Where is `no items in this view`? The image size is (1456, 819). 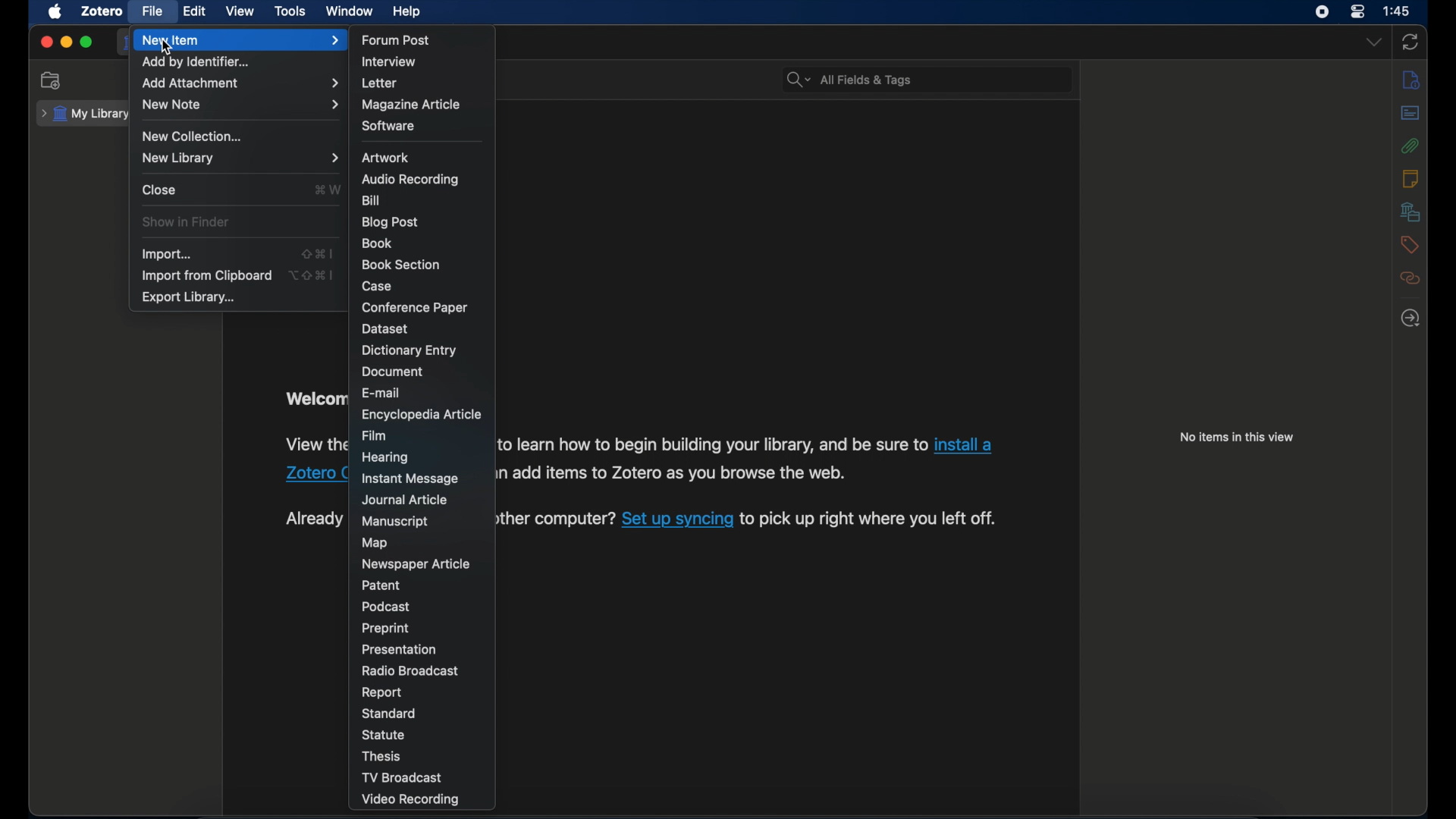
no items in this view is located at coordinates (1236, 437).